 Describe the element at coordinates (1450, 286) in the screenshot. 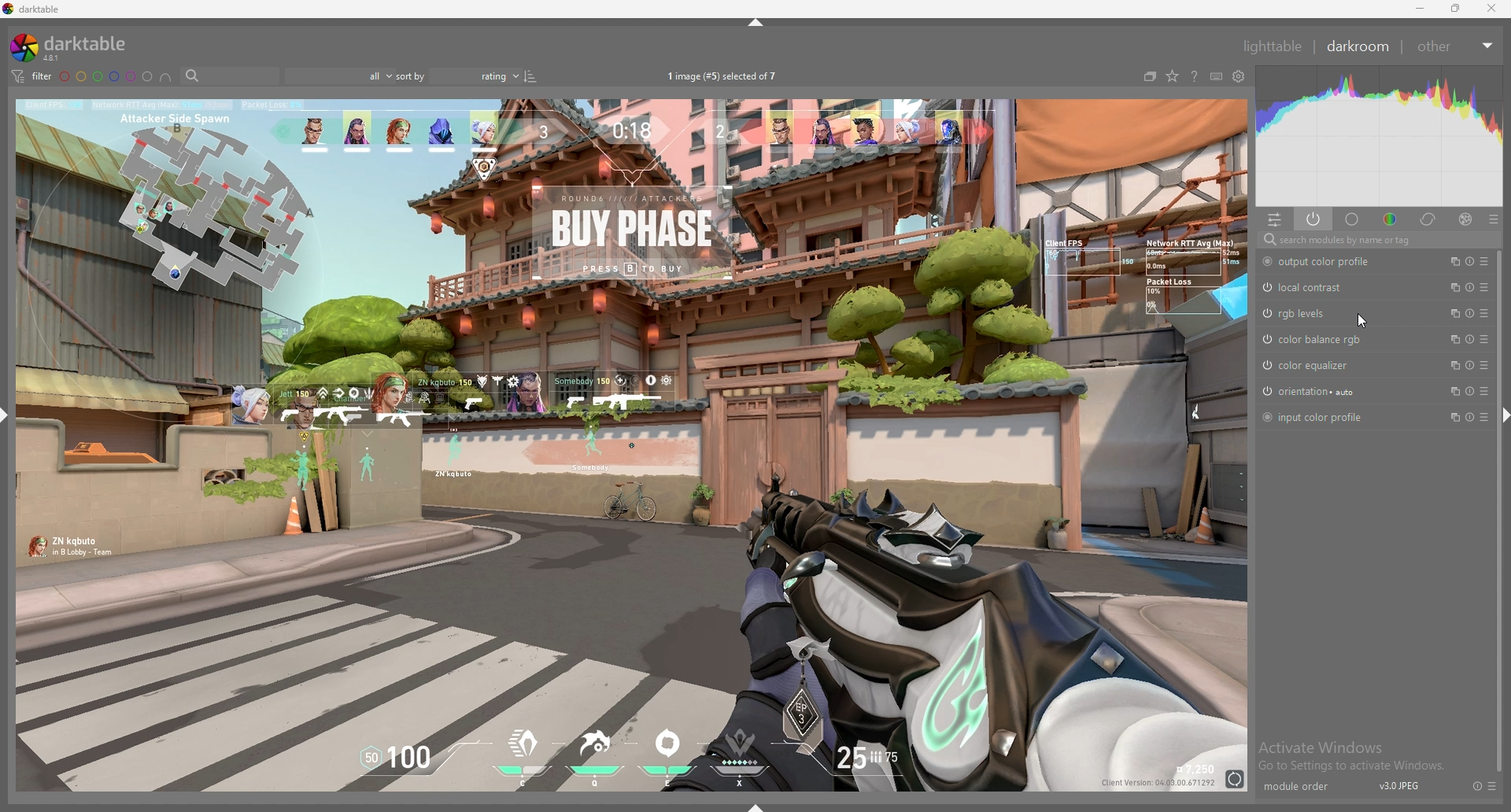

I see `multiple instances action` at that location.